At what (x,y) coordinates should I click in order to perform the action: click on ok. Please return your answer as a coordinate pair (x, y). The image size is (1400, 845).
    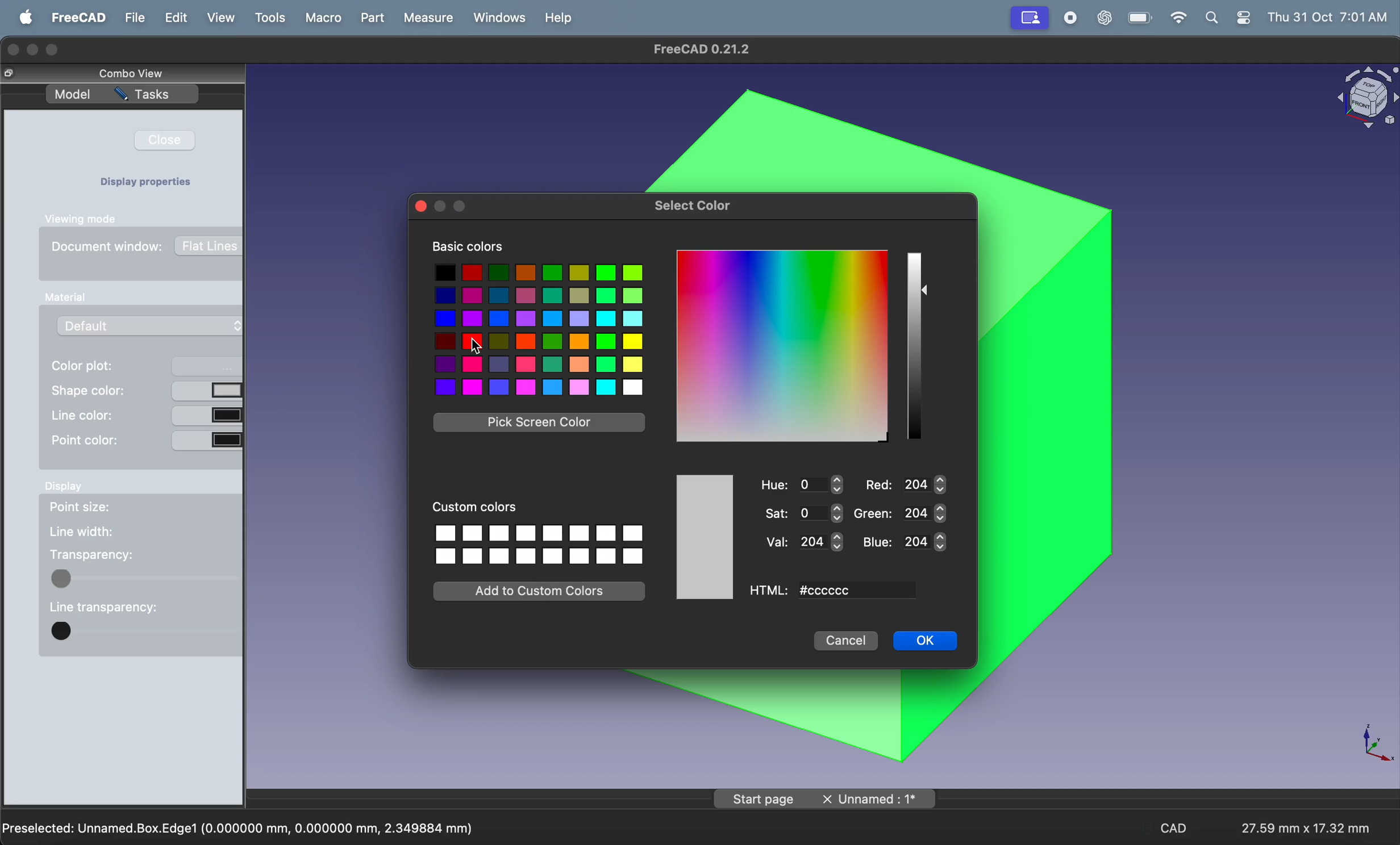
    Looking at the image, I should click on (924, 643).